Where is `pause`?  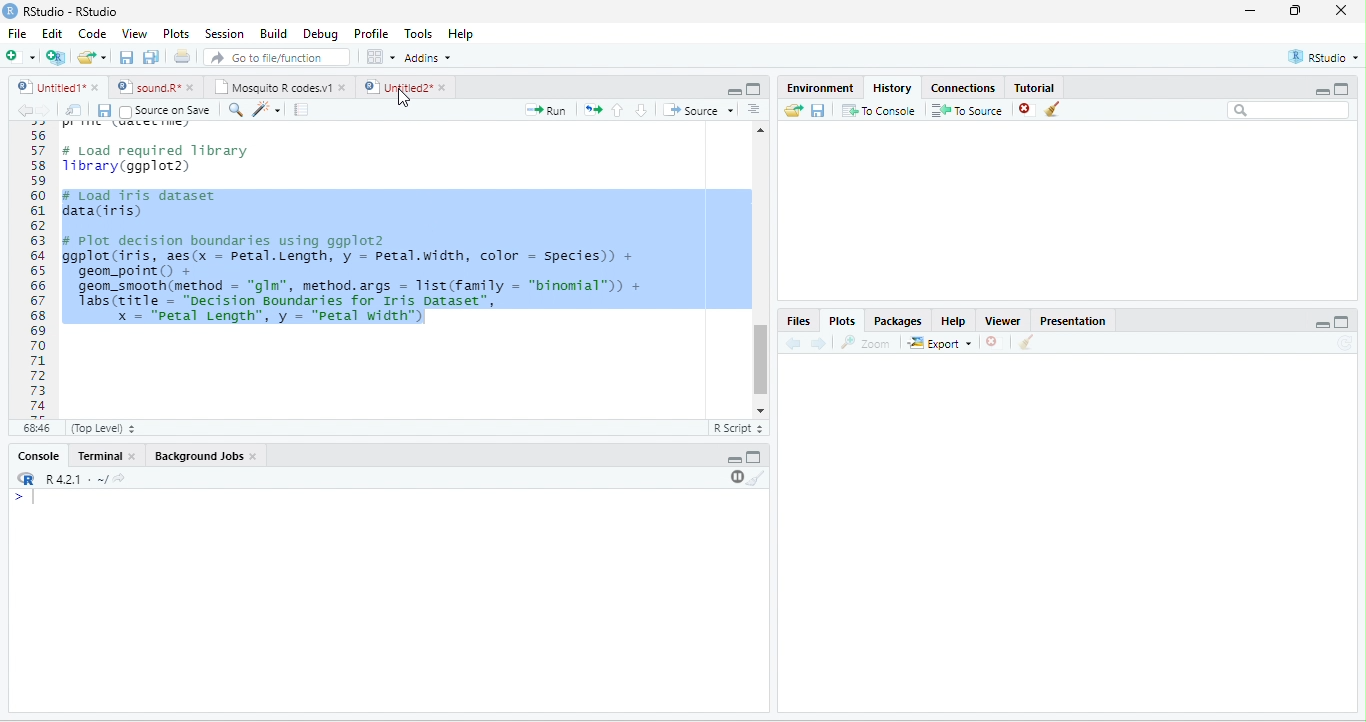
pause is located at coordinates (735, 477).